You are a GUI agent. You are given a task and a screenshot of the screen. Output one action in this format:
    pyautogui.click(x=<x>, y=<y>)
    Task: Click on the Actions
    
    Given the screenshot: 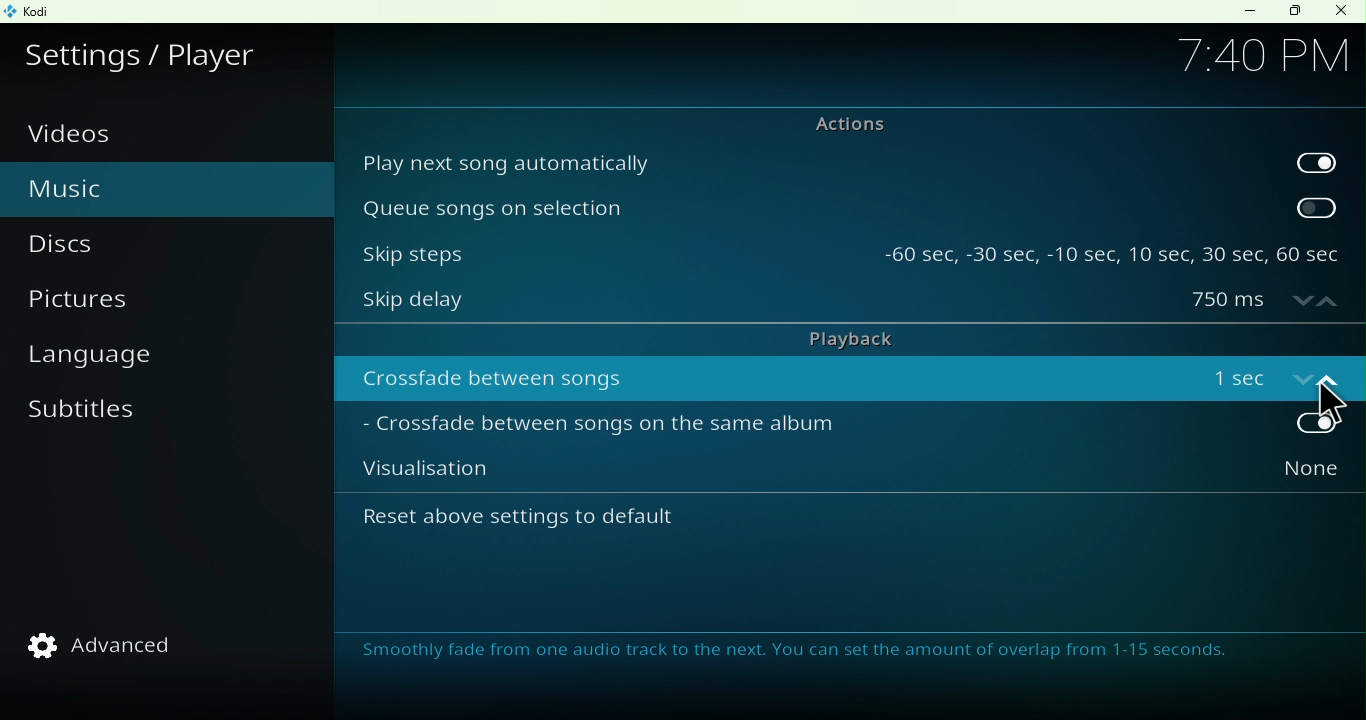 What is the action you would take?
    pyautogui.click(x=838, y=123)
    